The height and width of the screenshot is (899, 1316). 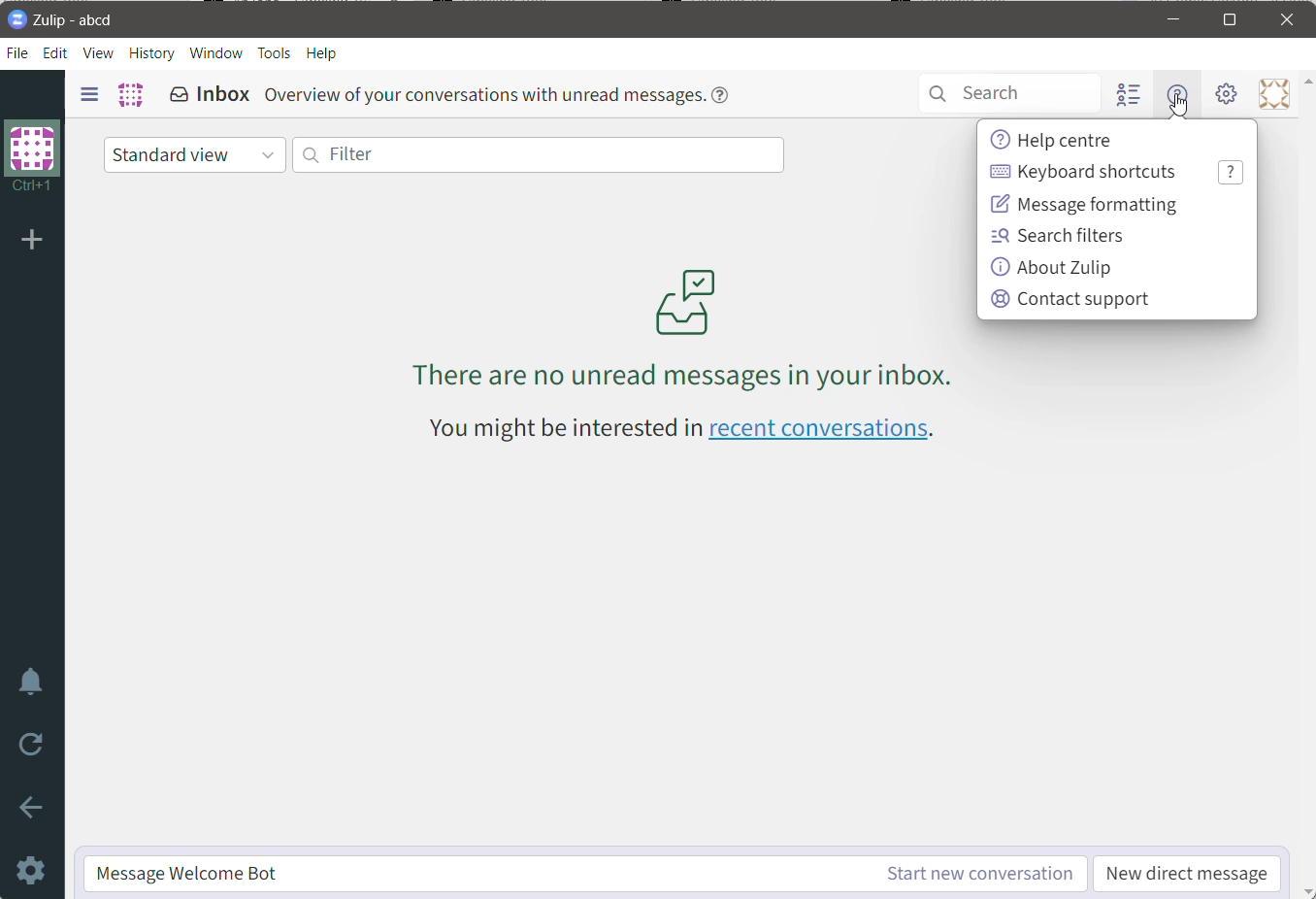 What do you see at coordinates (1176, 105) in the screenshot?
I see `cursor` at bounding box center [1176, 105].